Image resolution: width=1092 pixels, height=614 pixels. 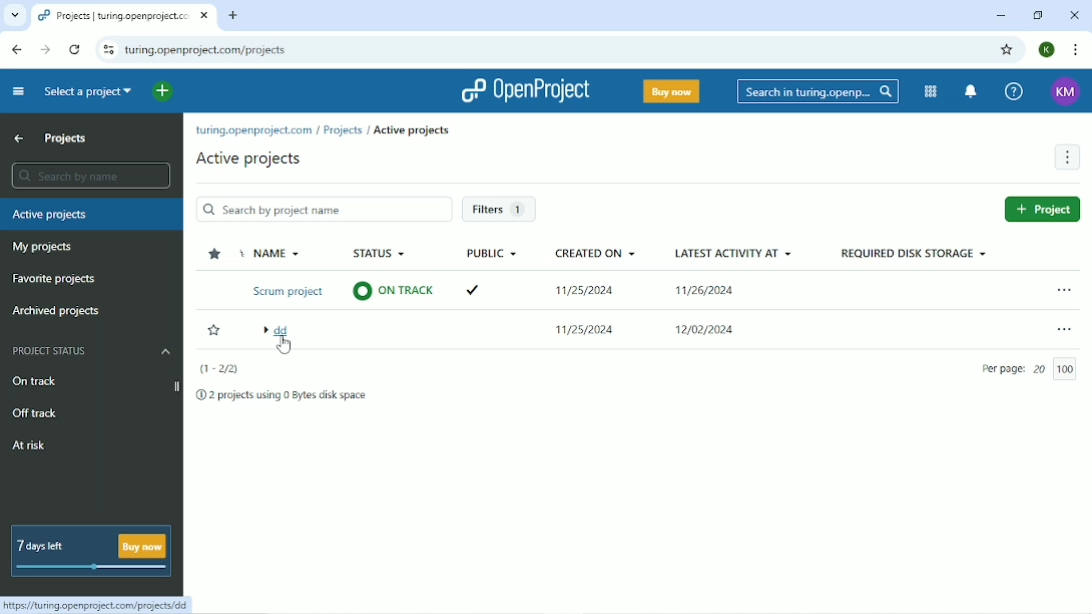 What do you see at coordinates (64, 140) in the screenshot?
I see `Projects` at bounding box center [64, 140].